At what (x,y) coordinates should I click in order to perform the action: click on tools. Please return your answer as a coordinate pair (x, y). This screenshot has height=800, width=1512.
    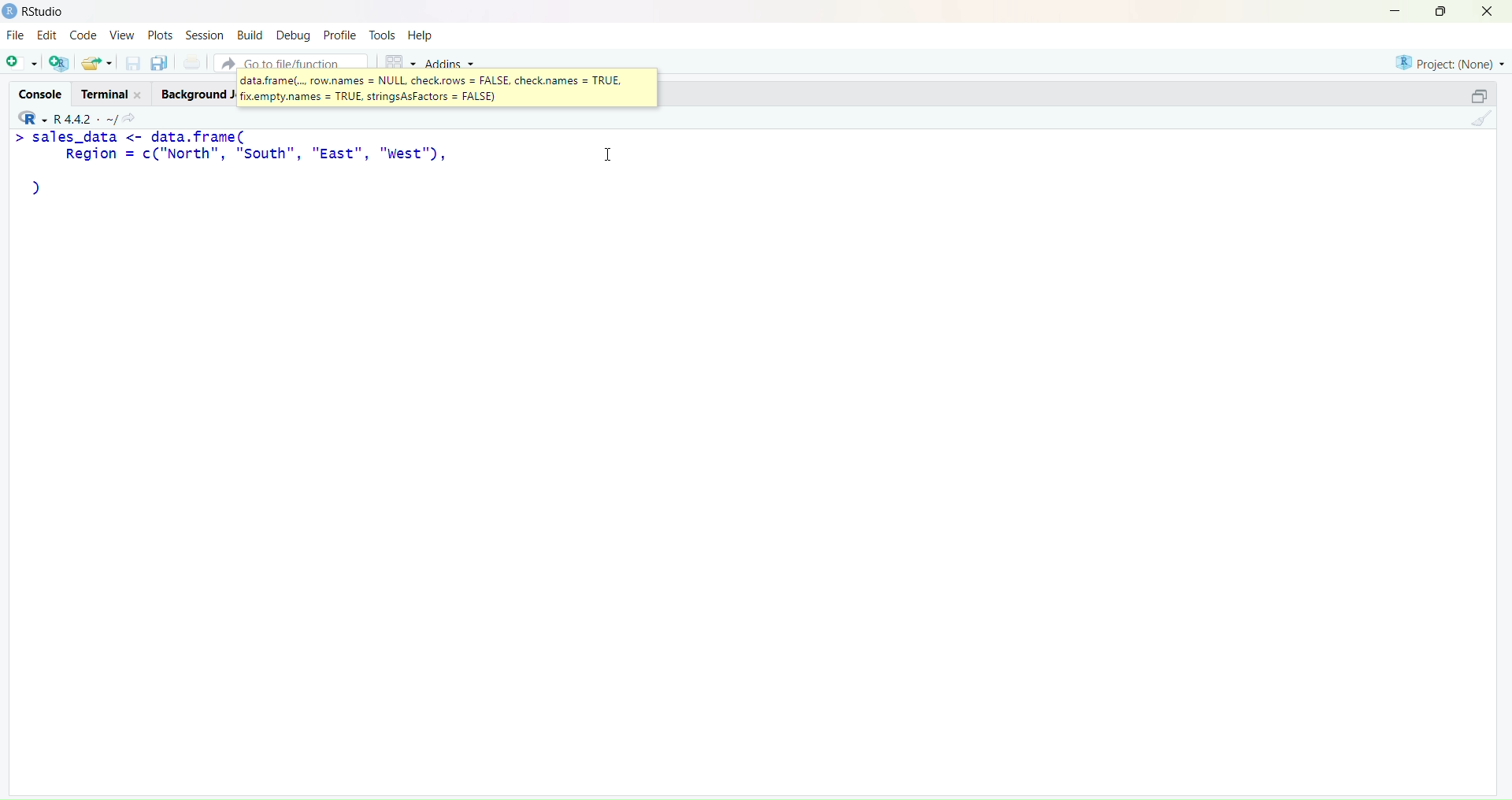
    Looking at the image, I should click on (382, 35).